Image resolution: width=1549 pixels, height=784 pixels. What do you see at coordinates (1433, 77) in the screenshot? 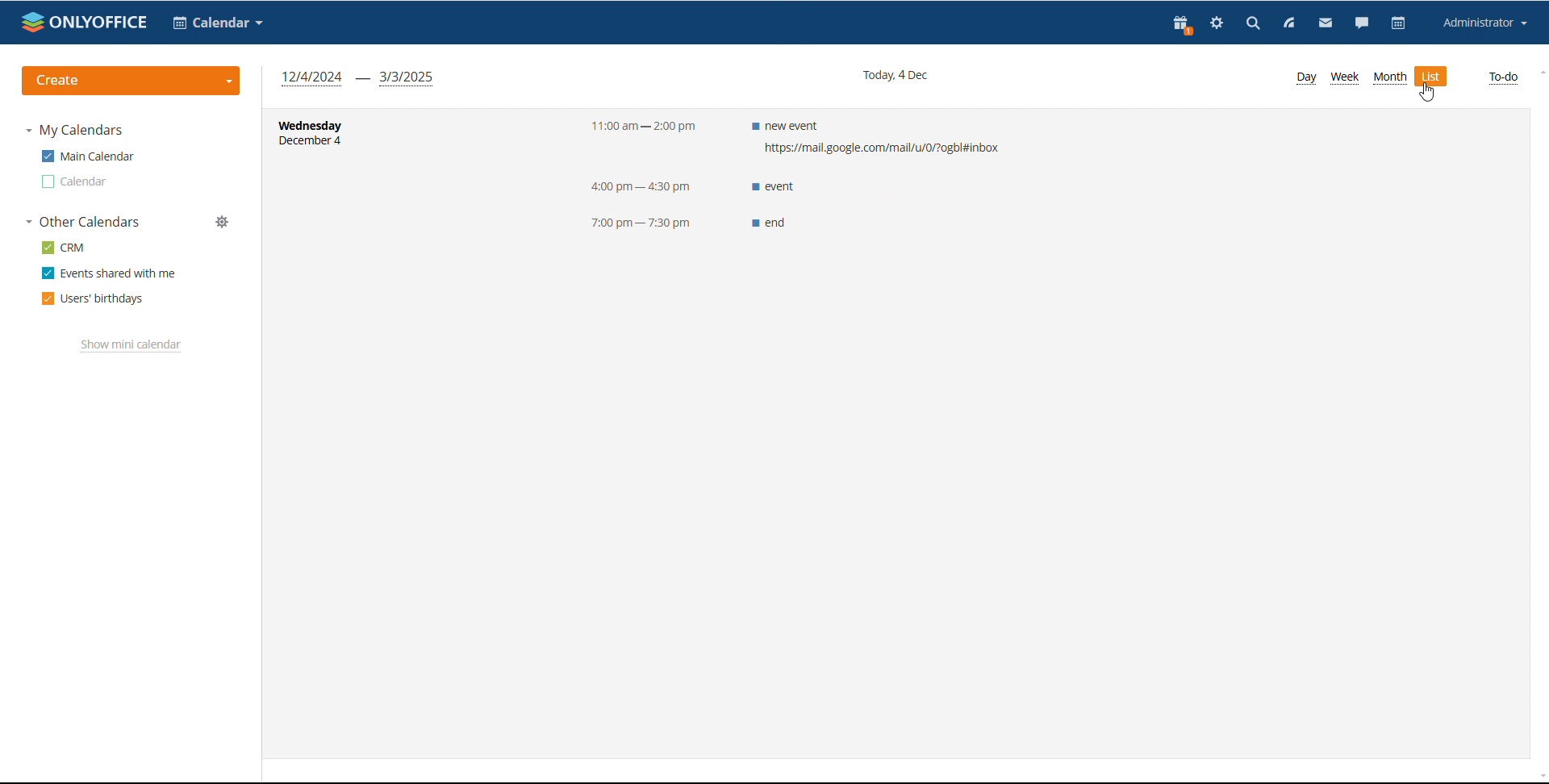
I see `list view` at bounding box center [1433, 77].